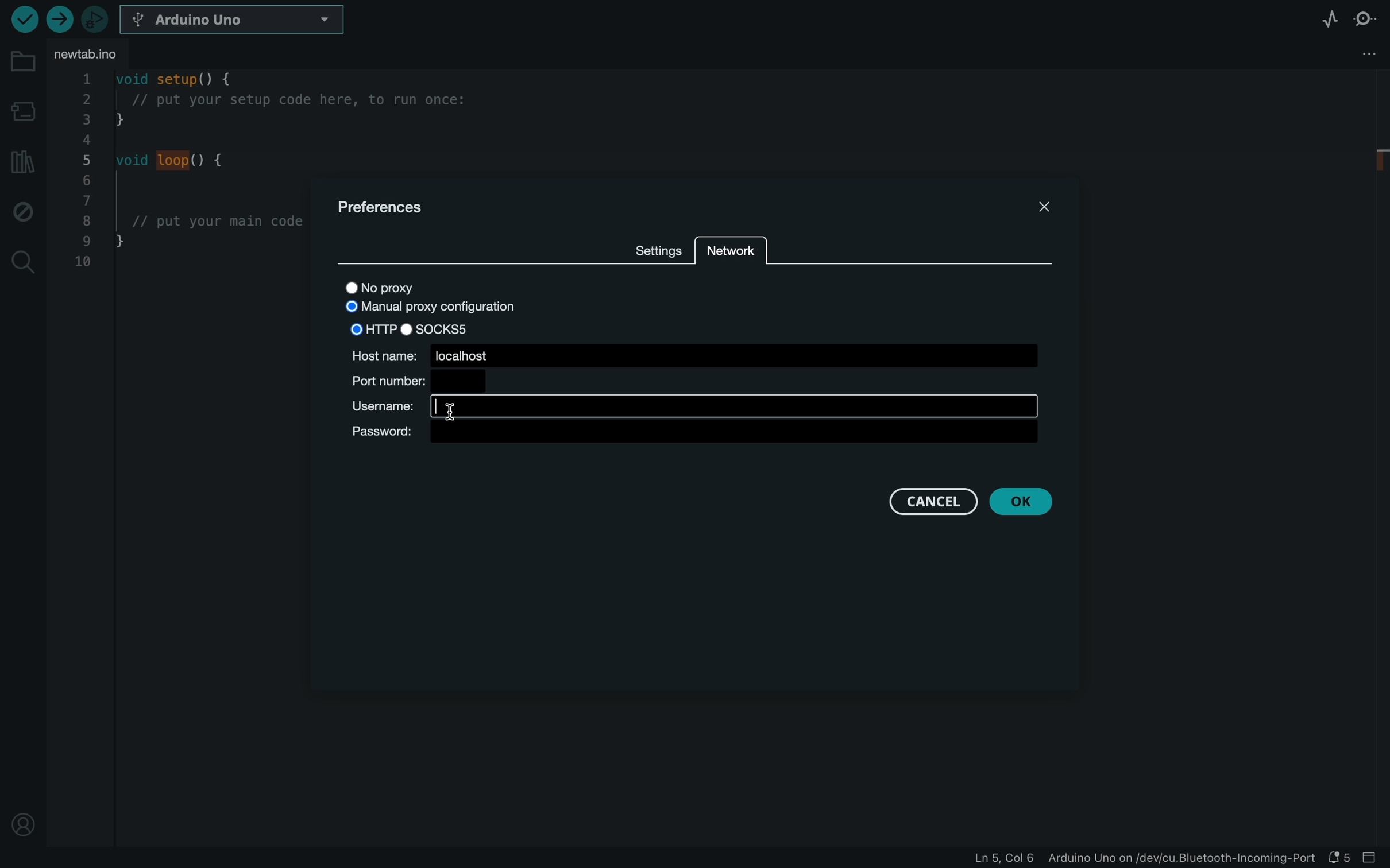  I want to click on folder, so click(24, 62).